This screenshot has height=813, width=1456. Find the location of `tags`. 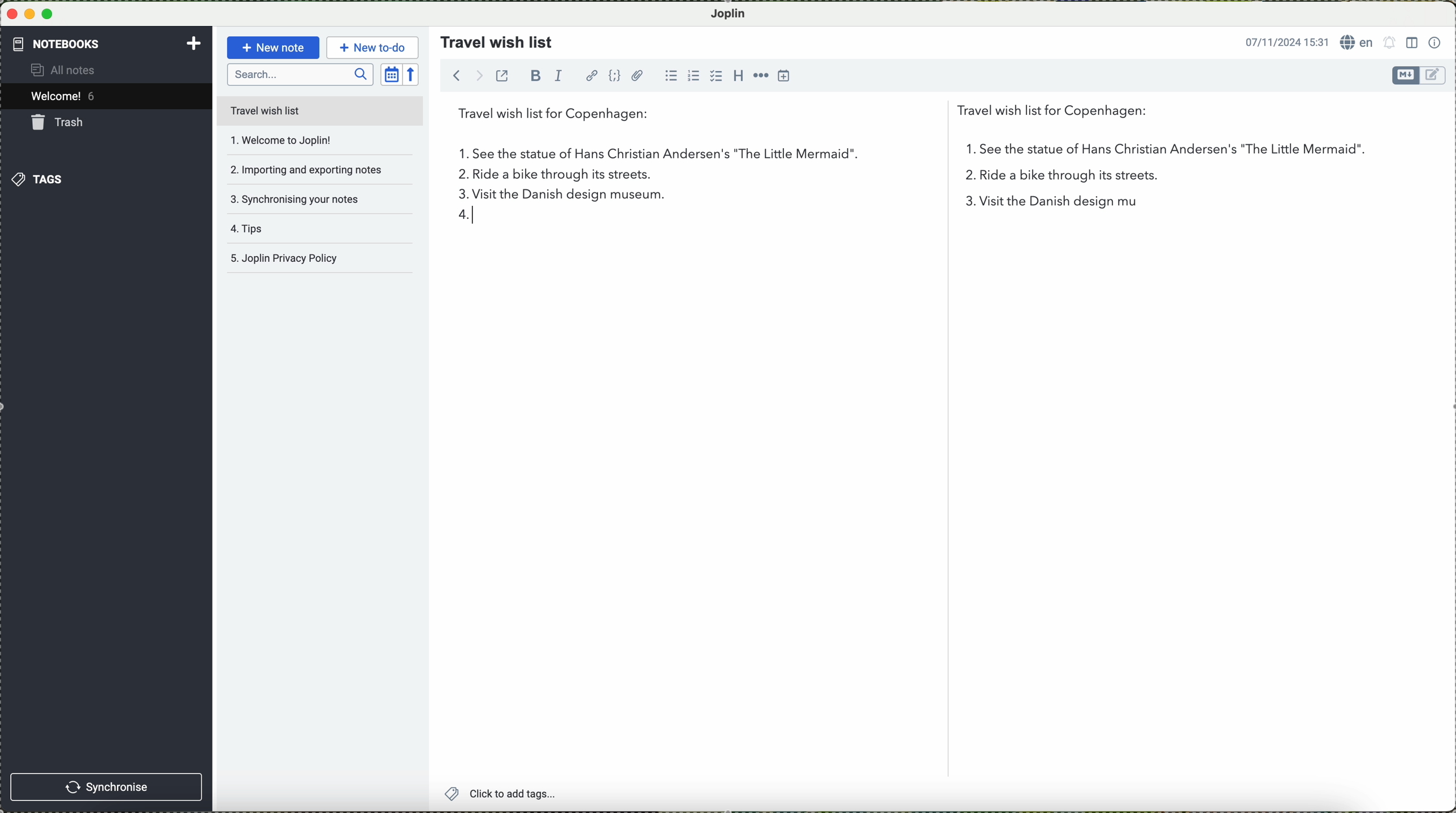

tags is located at coordinates (39, 179).